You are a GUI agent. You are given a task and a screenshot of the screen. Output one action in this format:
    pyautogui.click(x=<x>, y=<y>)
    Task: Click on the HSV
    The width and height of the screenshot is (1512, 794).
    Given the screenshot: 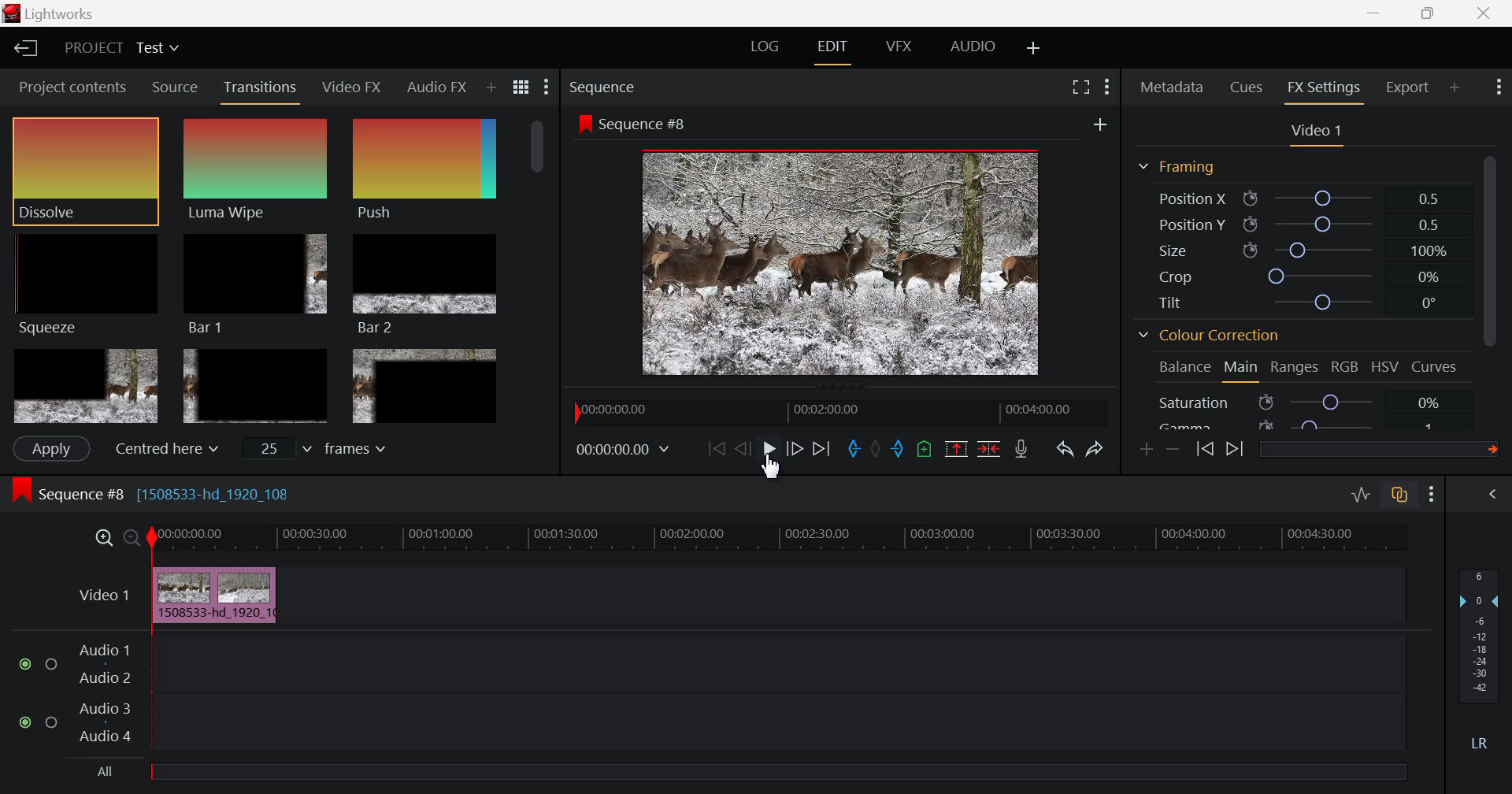 What is the action you would take?
    pyautogui.click(x=1385, y=368)
    